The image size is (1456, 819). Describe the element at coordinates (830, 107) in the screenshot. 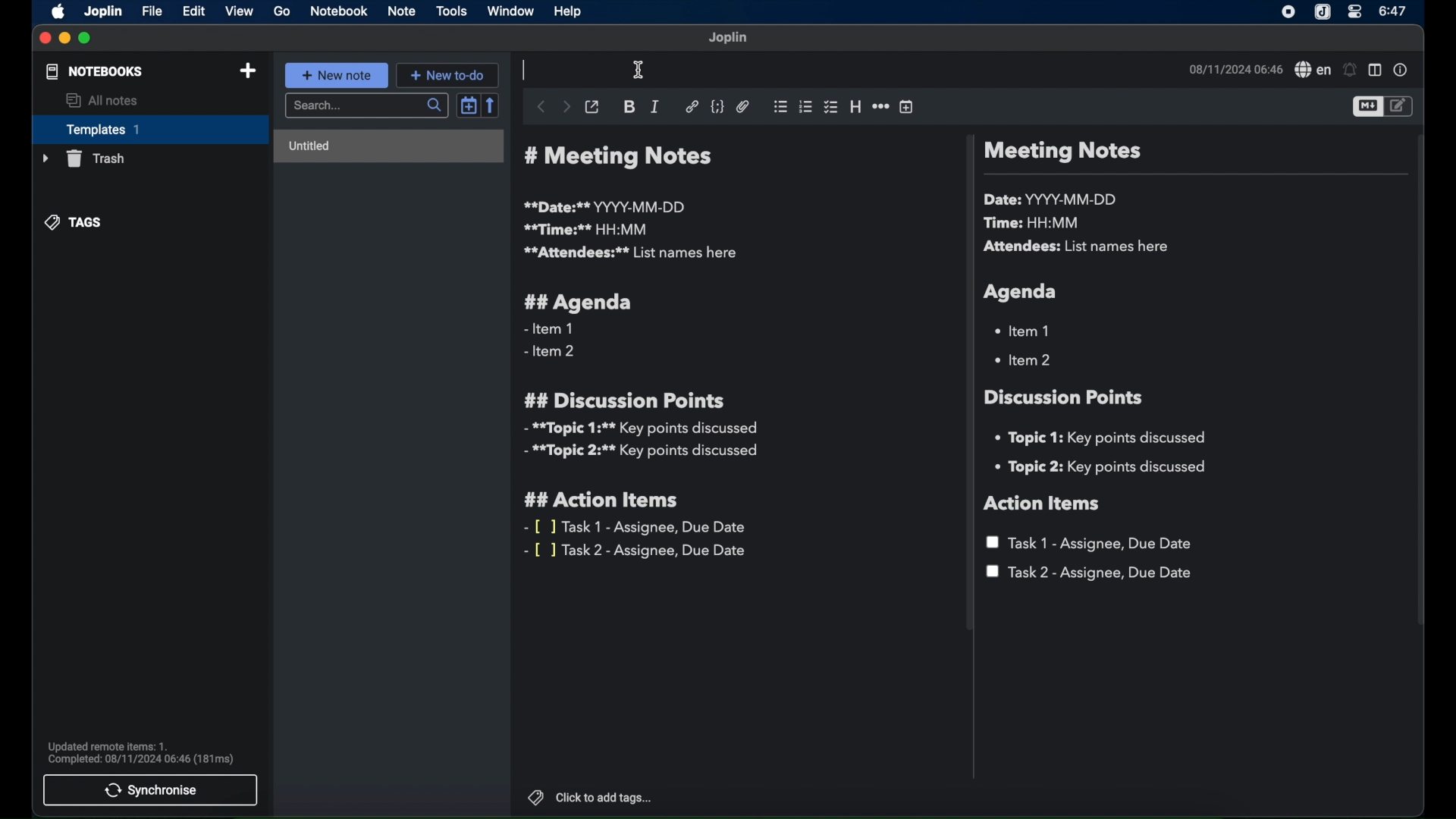

I see `checkbox` at that location.